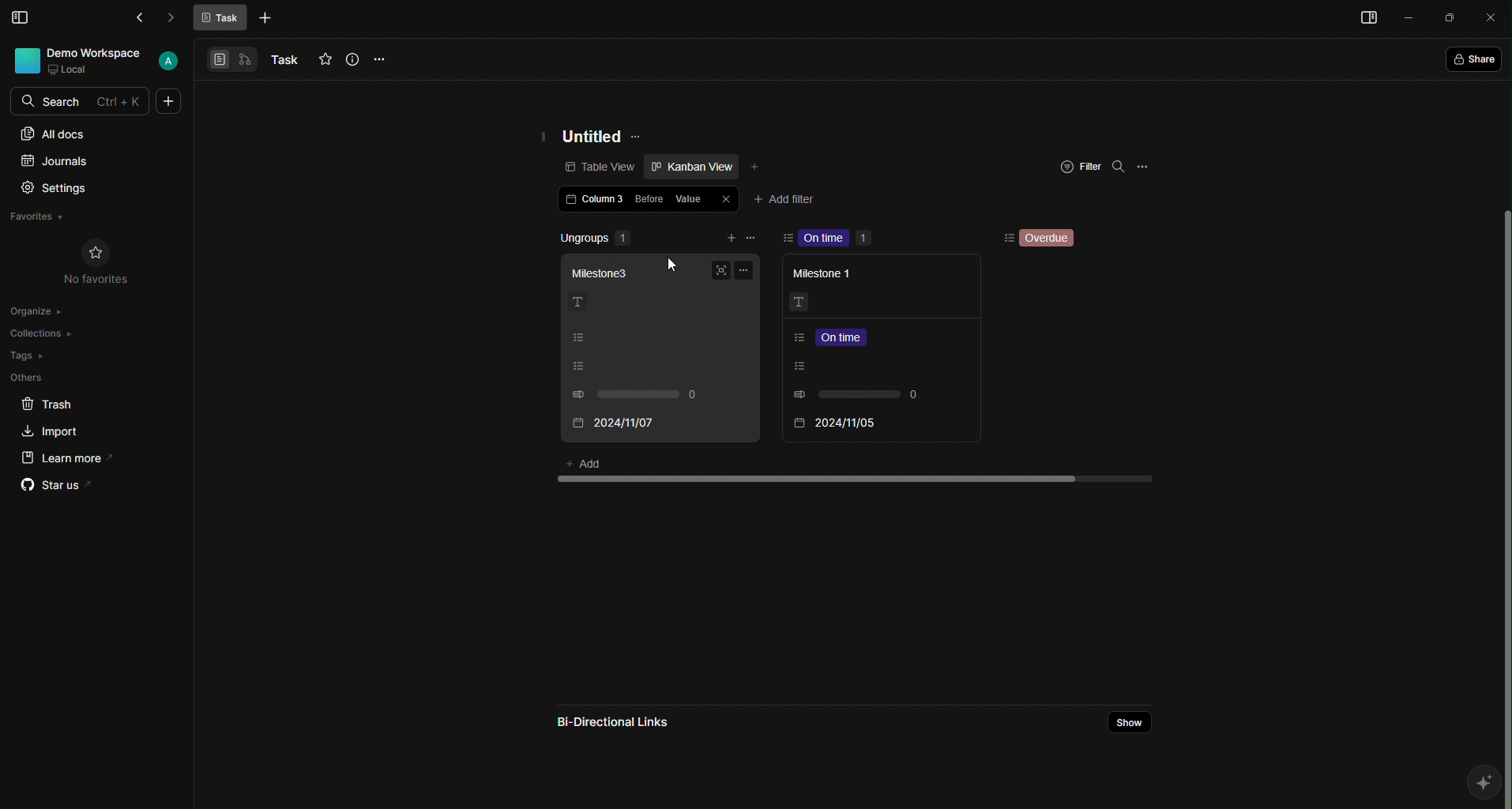 This screenshot has height=809, width=1512. What do you see at coordinates (689, 196) in the screenshot?
I see `Value` at bounding box center [689, 196].